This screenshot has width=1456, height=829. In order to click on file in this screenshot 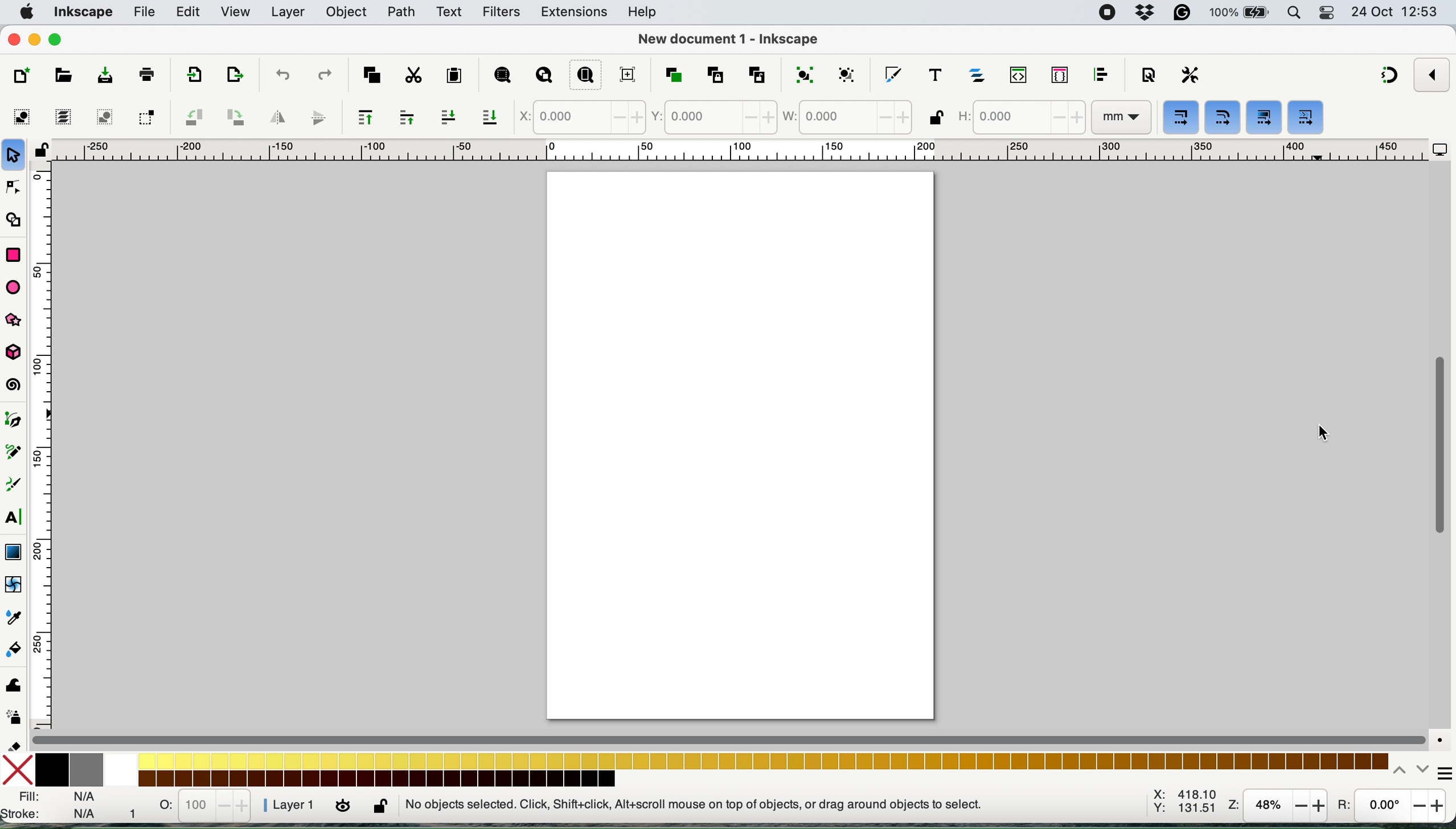, I will do `click(145, 13)`.